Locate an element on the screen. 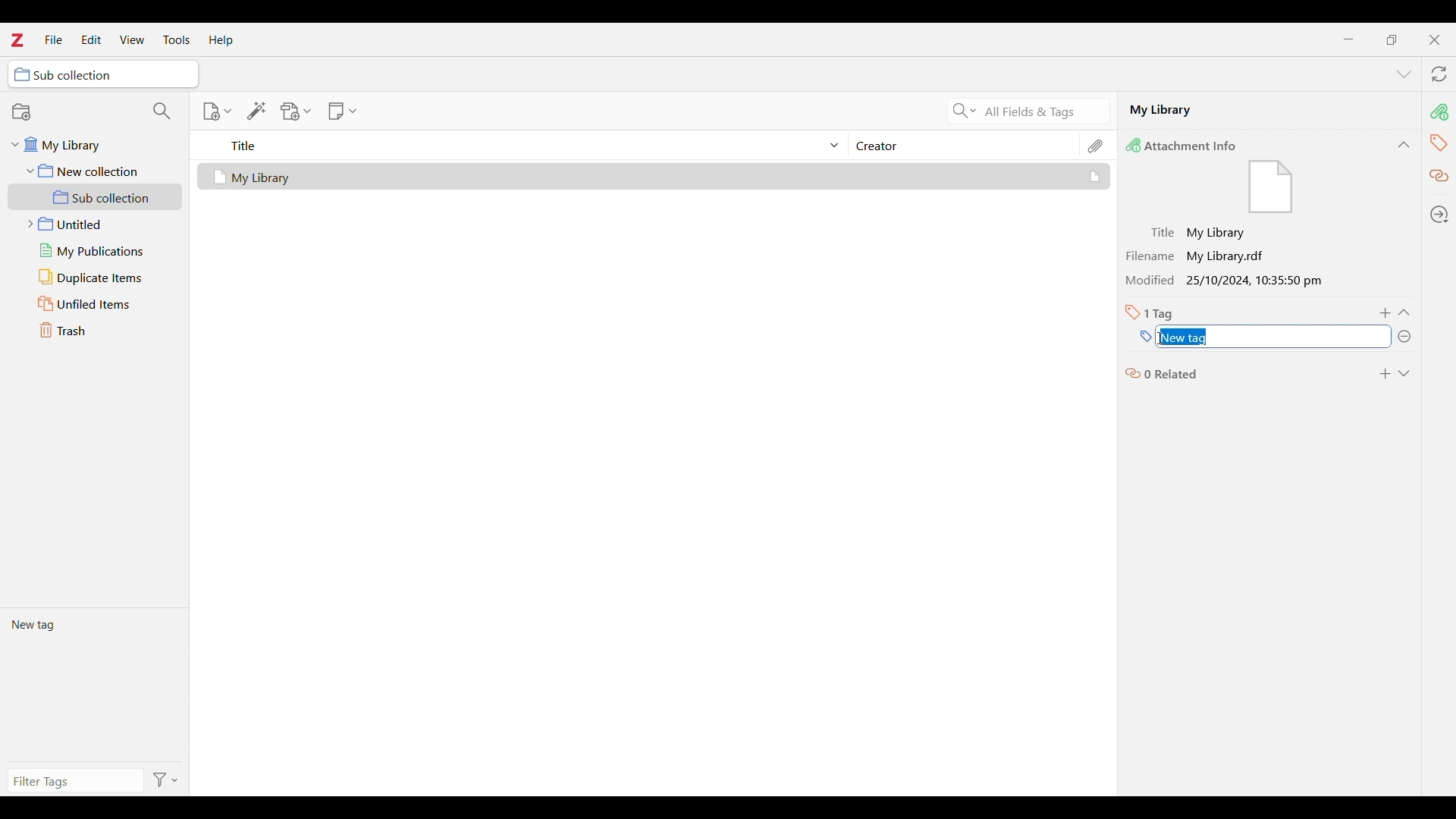 The image size is (1456, 819). Current tags is located at coordinates (94, 684).